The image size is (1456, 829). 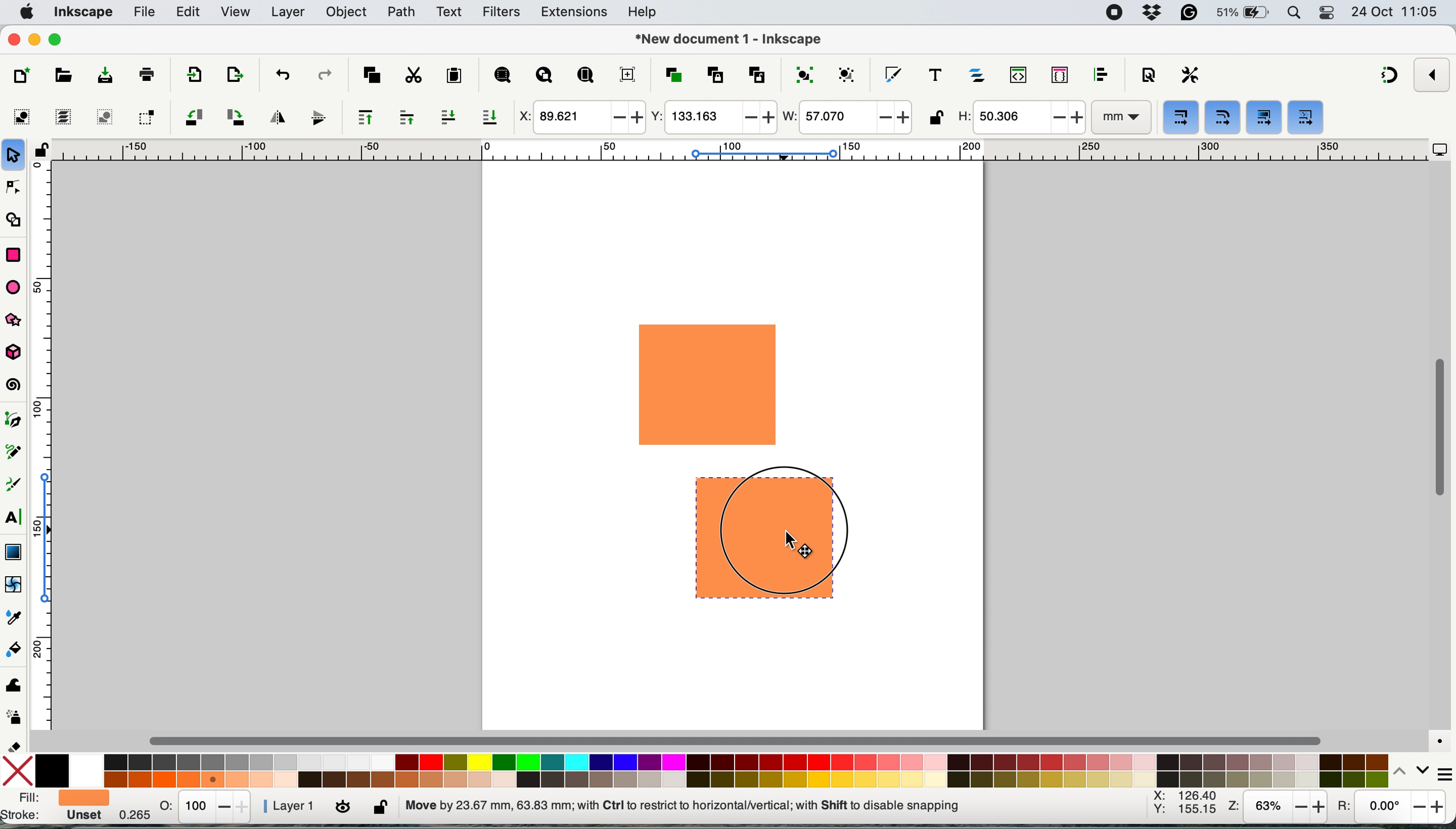 I want to click on print, so click(x=147, y=73).